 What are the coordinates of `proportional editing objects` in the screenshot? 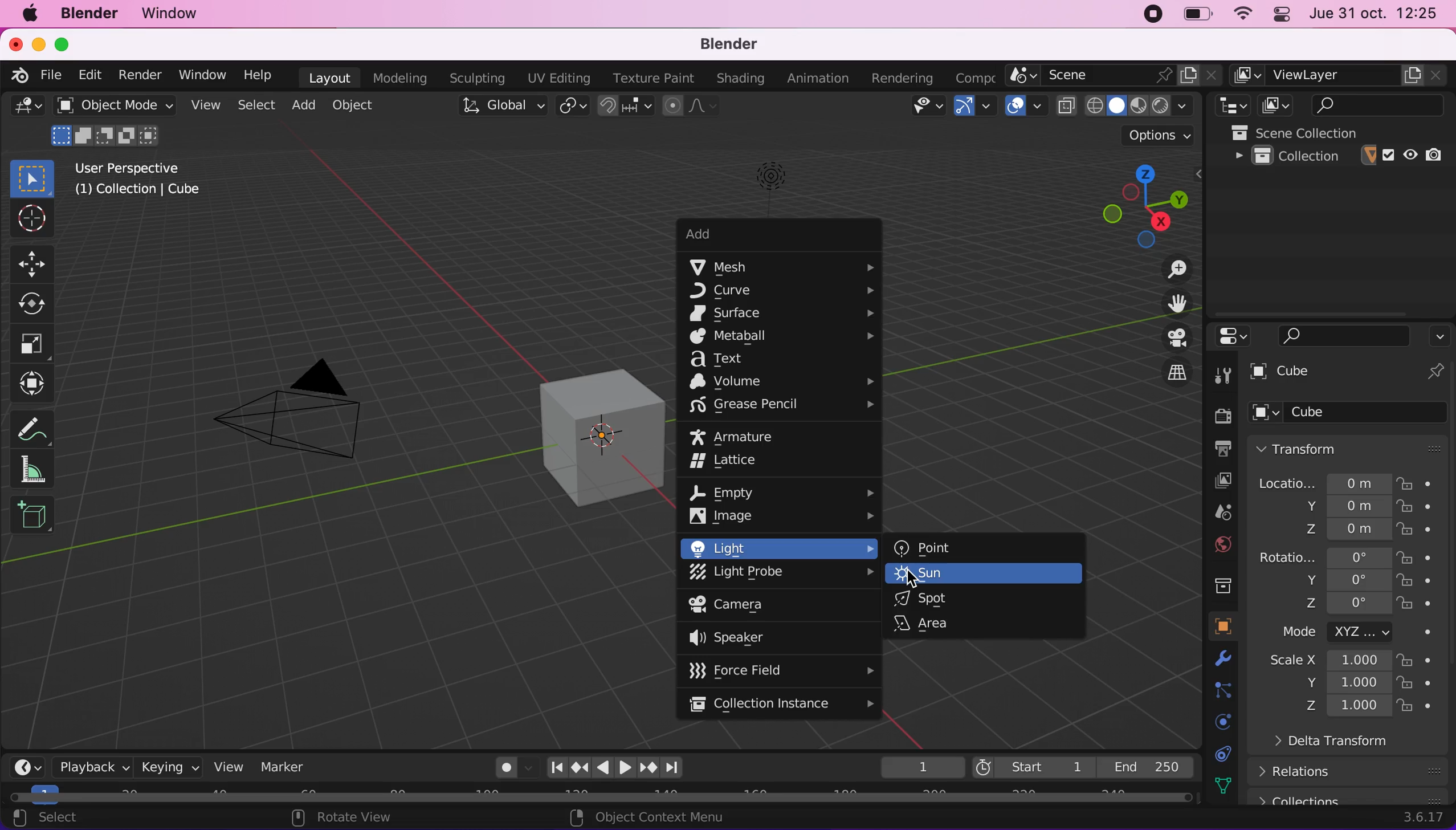 It's located at (690, 105).